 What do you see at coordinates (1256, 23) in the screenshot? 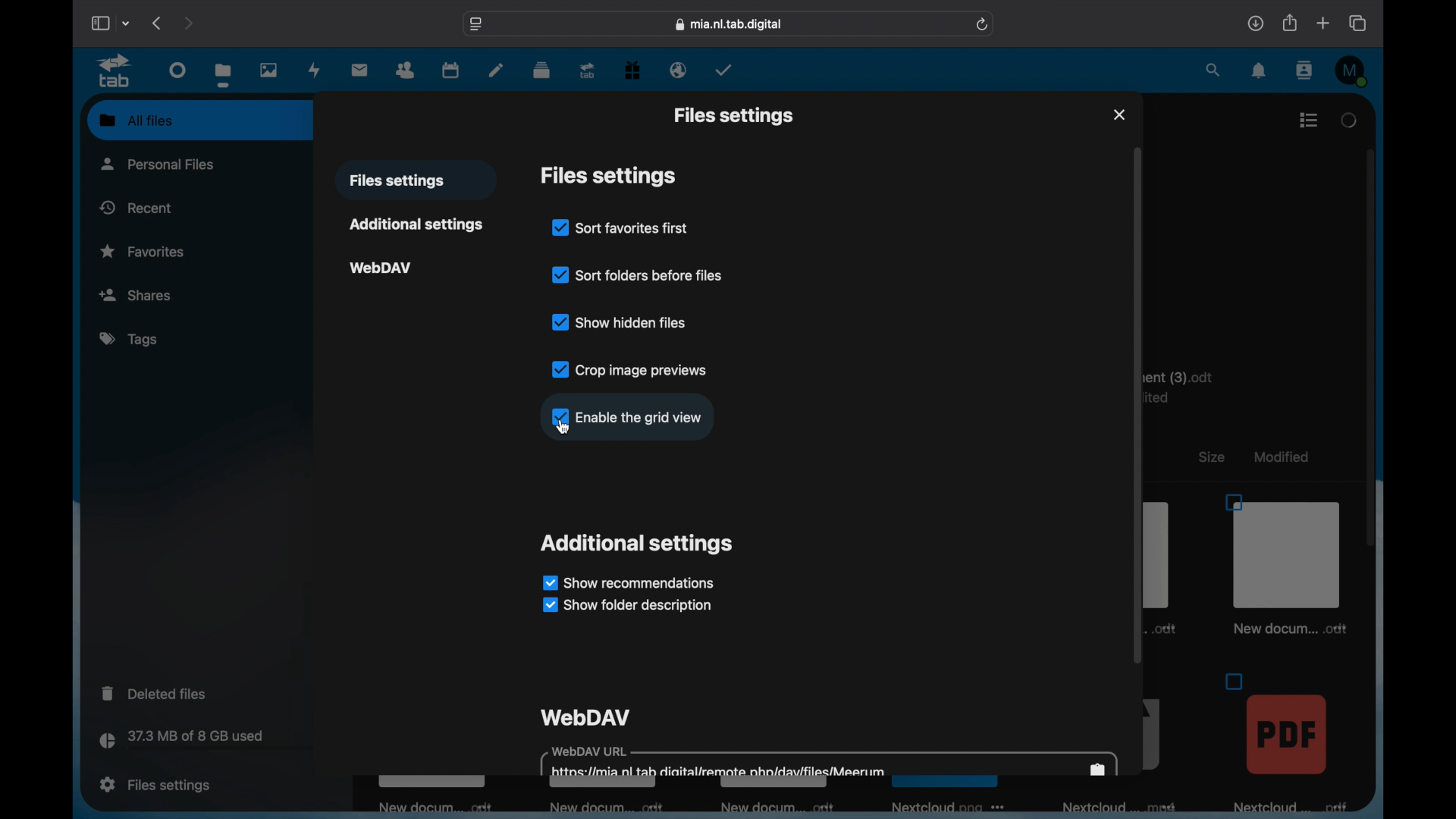
I see `downloads` at bounding box center [1256, 23].